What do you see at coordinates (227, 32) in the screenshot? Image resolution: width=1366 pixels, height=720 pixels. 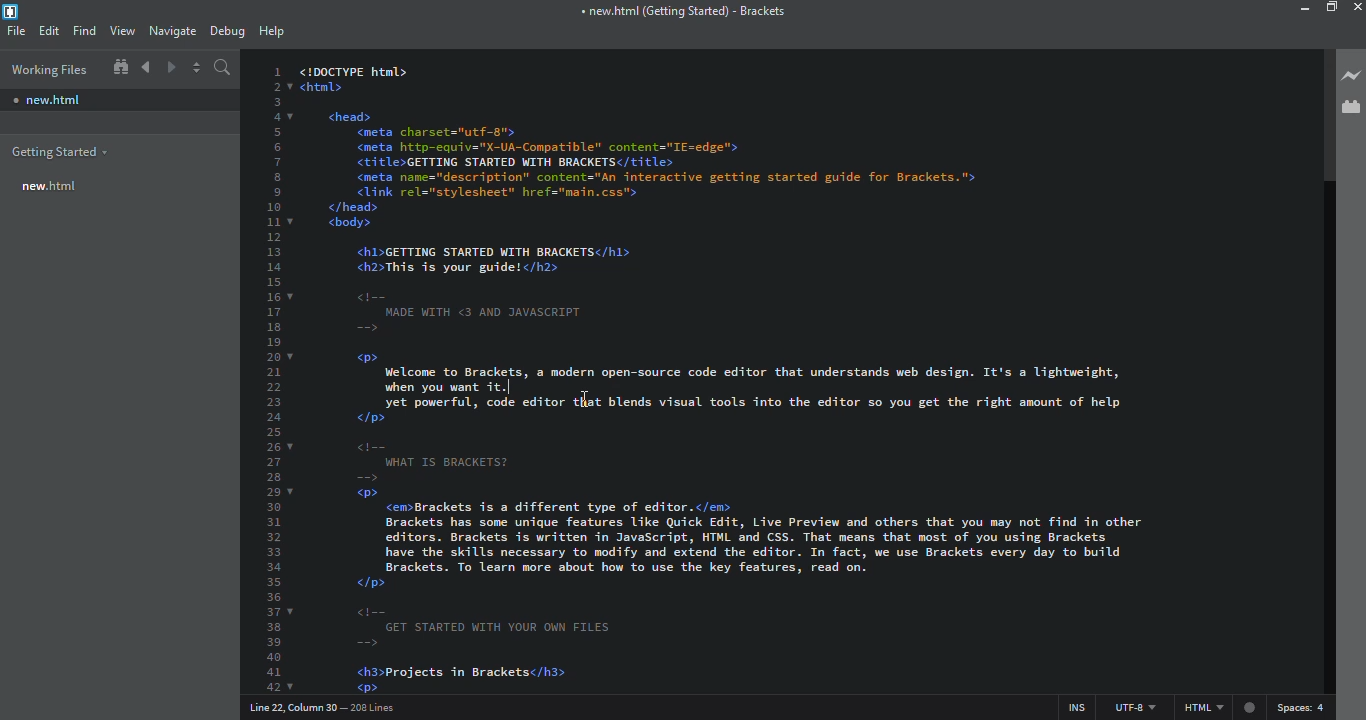 I see `debug` at bounding box center [227, 32].